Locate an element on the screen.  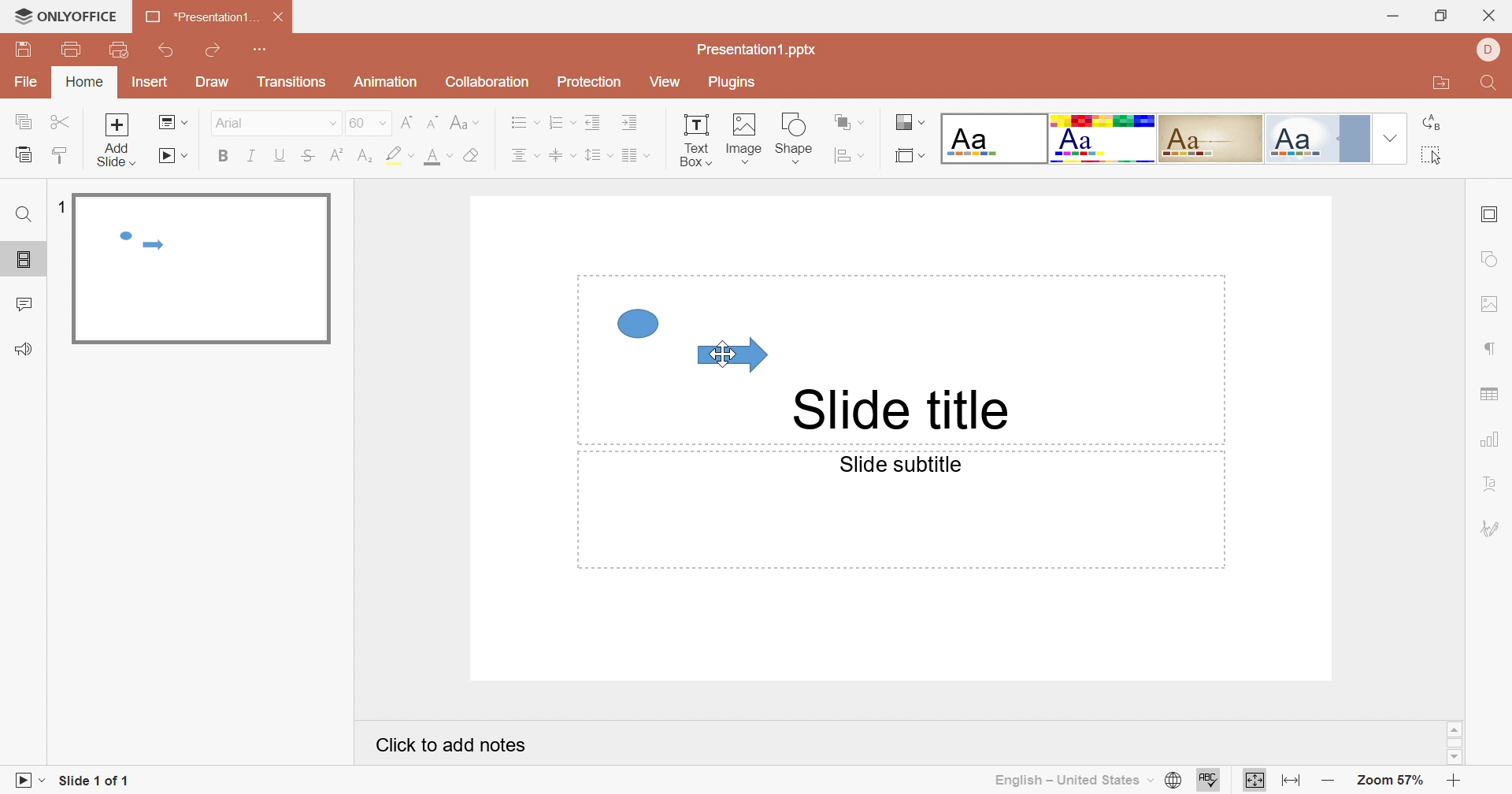
Plugins is located at coordinates (734, 84).